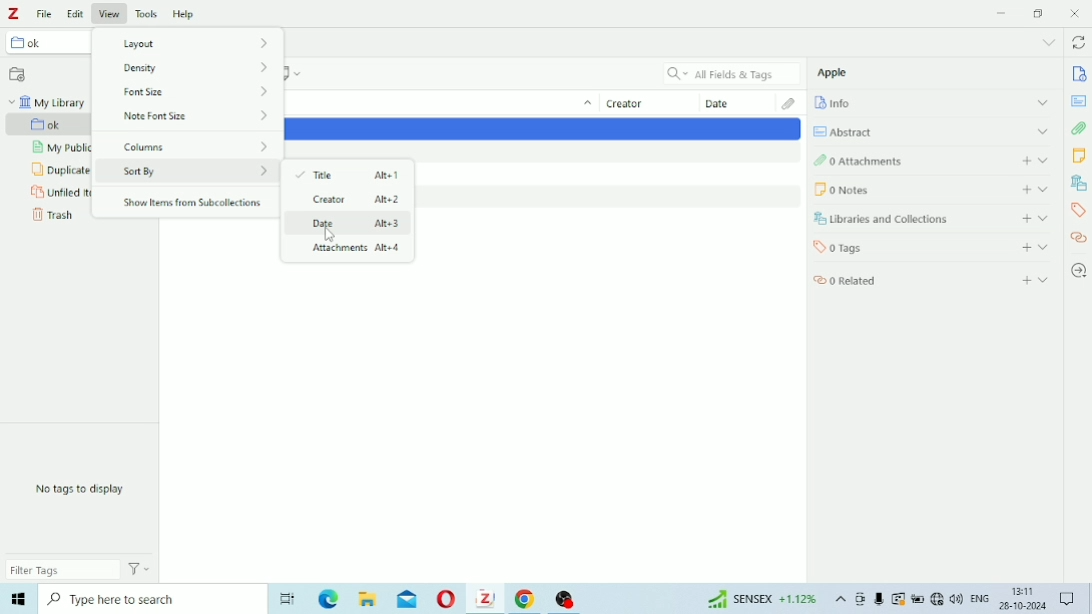  What do you see at coordinates (1046, 189) in the screenshot?
I see `expand` at bounding box center [1046, 189].